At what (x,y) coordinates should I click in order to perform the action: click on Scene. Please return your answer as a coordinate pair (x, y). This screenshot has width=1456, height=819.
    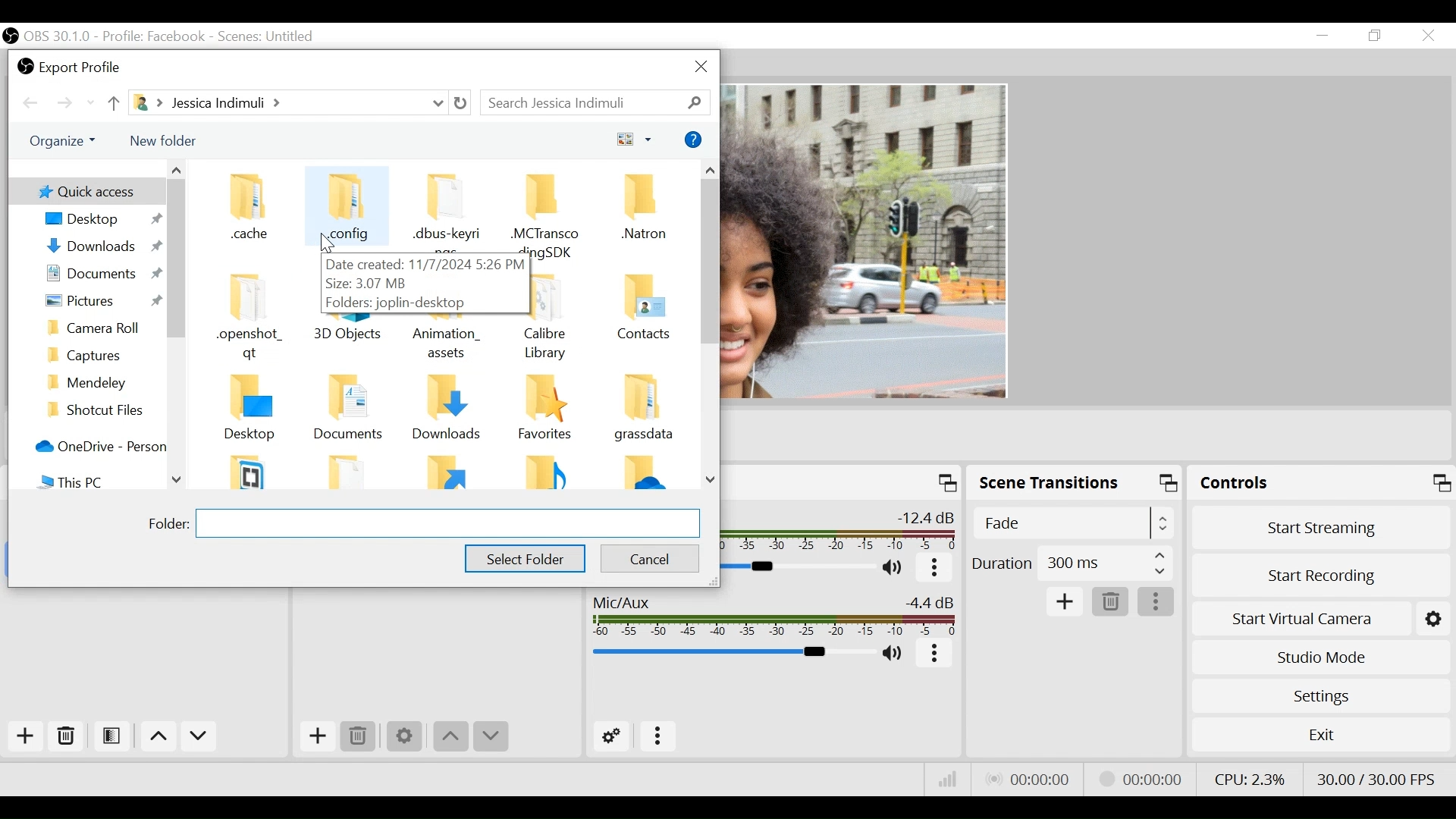
    Looking at the image, I should click on (271, 36).